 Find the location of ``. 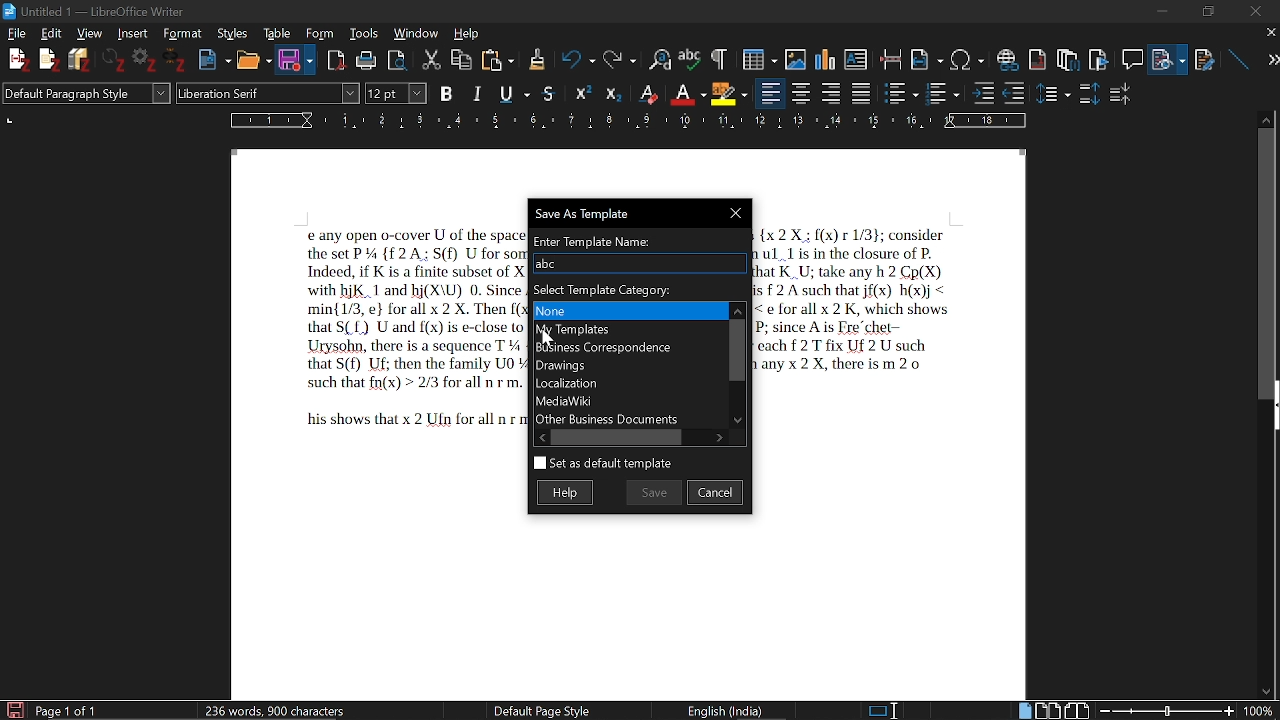

 is located at coordinates (613, 93).